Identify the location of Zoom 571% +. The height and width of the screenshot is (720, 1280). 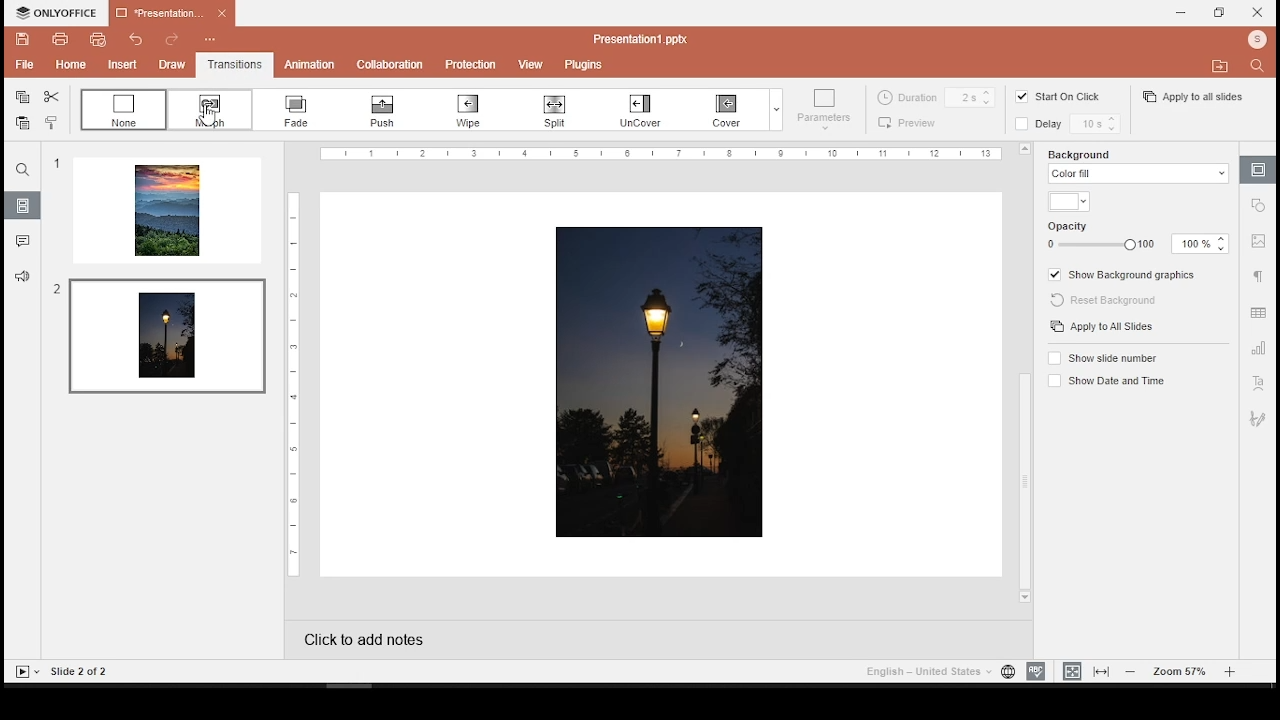
(1181, 672).